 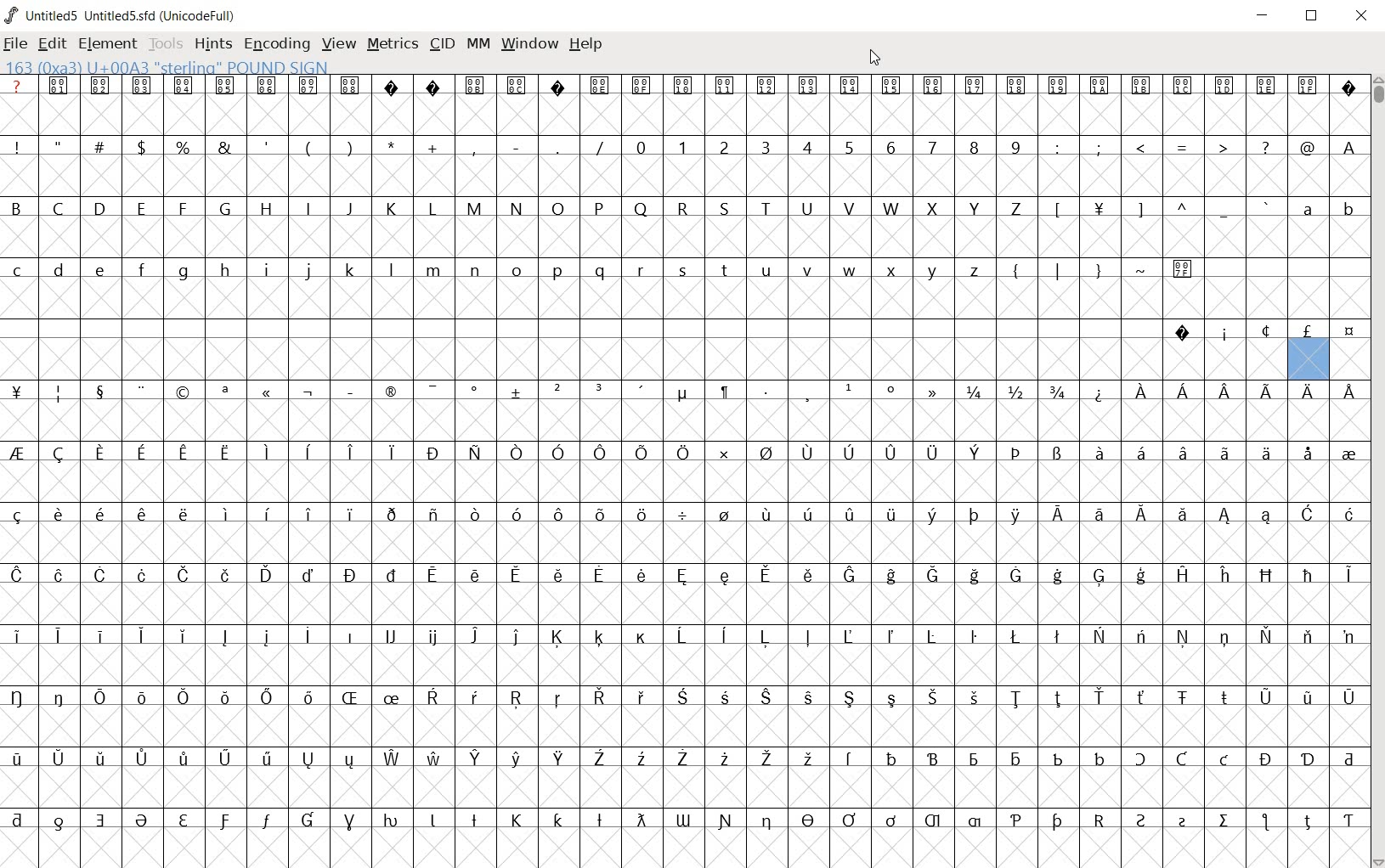 I want to click on Symbol, so click(x=391, y=393).